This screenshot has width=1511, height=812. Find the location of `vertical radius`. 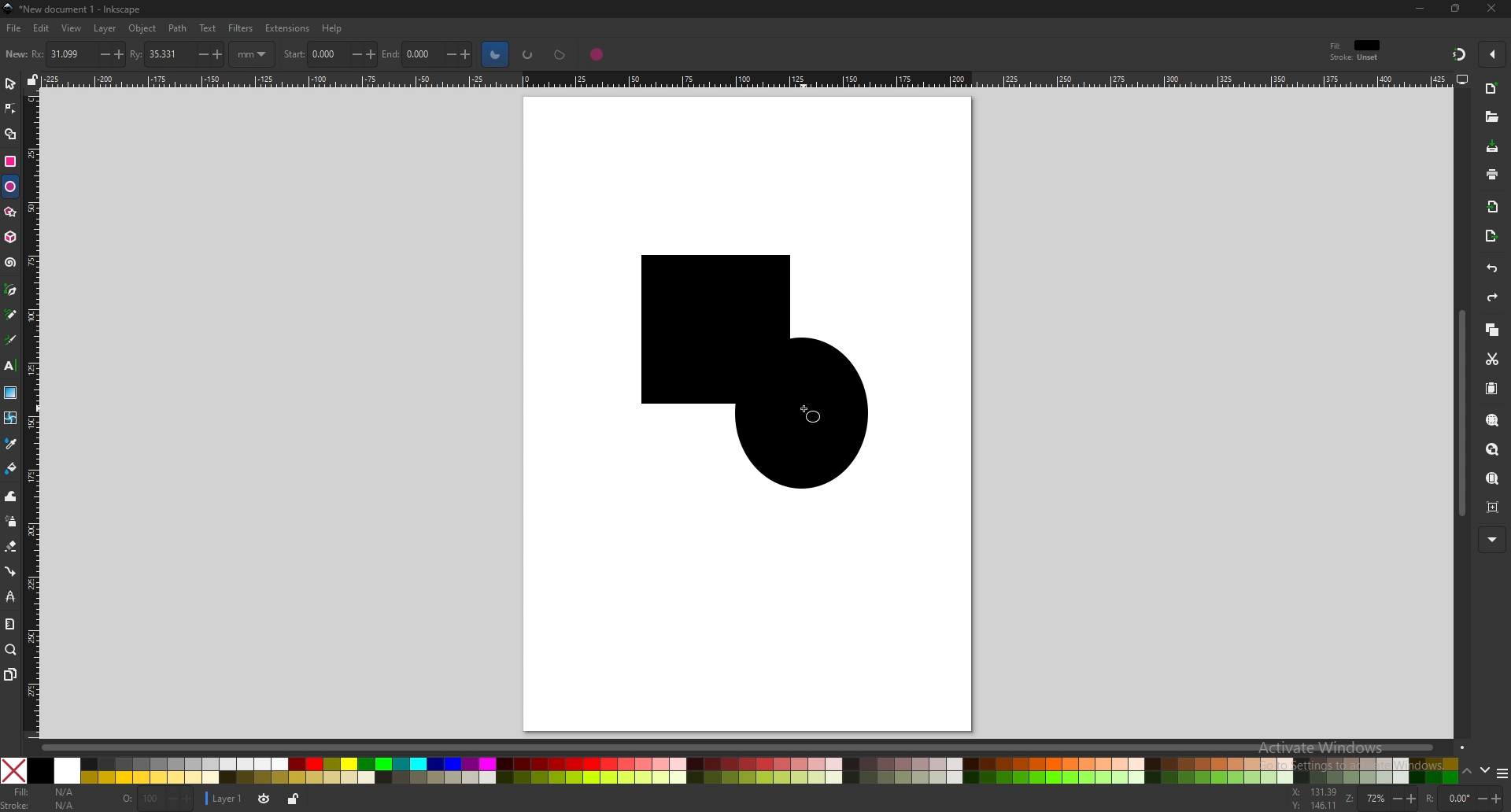

vertical radius is located at coordinates (176, 53).